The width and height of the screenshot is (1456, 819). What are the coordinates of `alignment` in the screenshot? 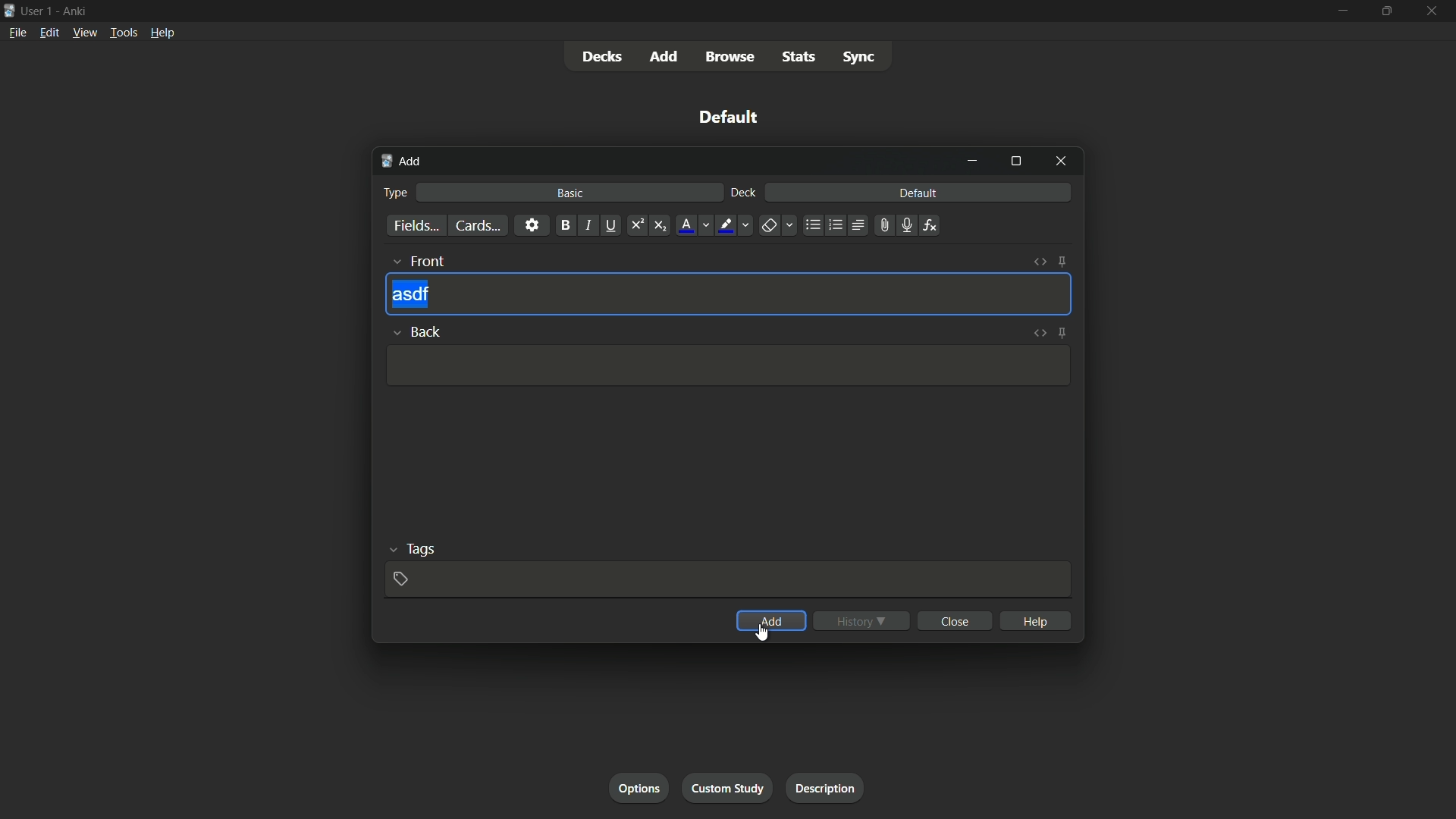 It's located at (859, 224).